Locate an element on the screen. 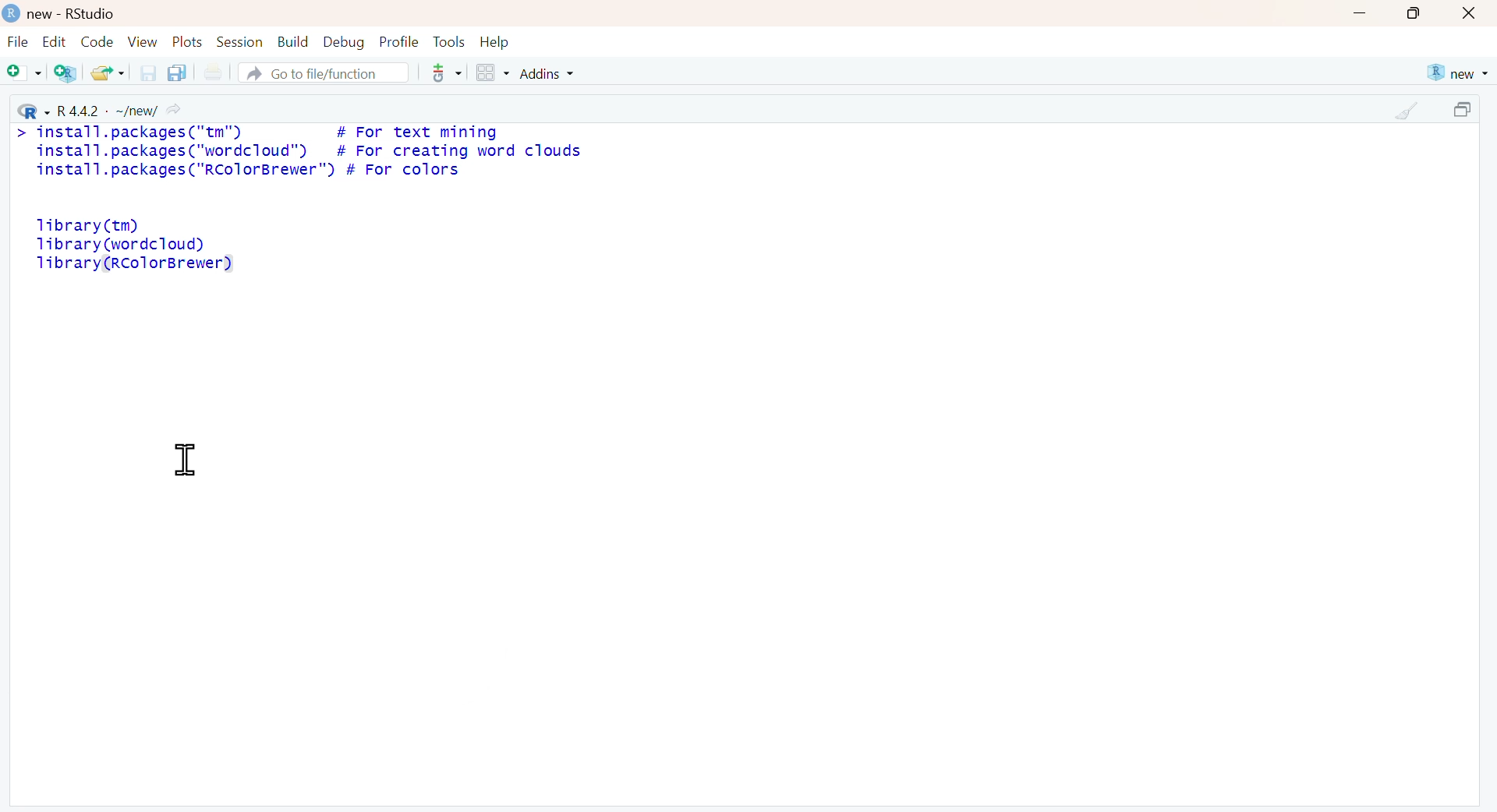  install.packages("wordcloud") # For creating word clouds is located at coordinates (307, 152).